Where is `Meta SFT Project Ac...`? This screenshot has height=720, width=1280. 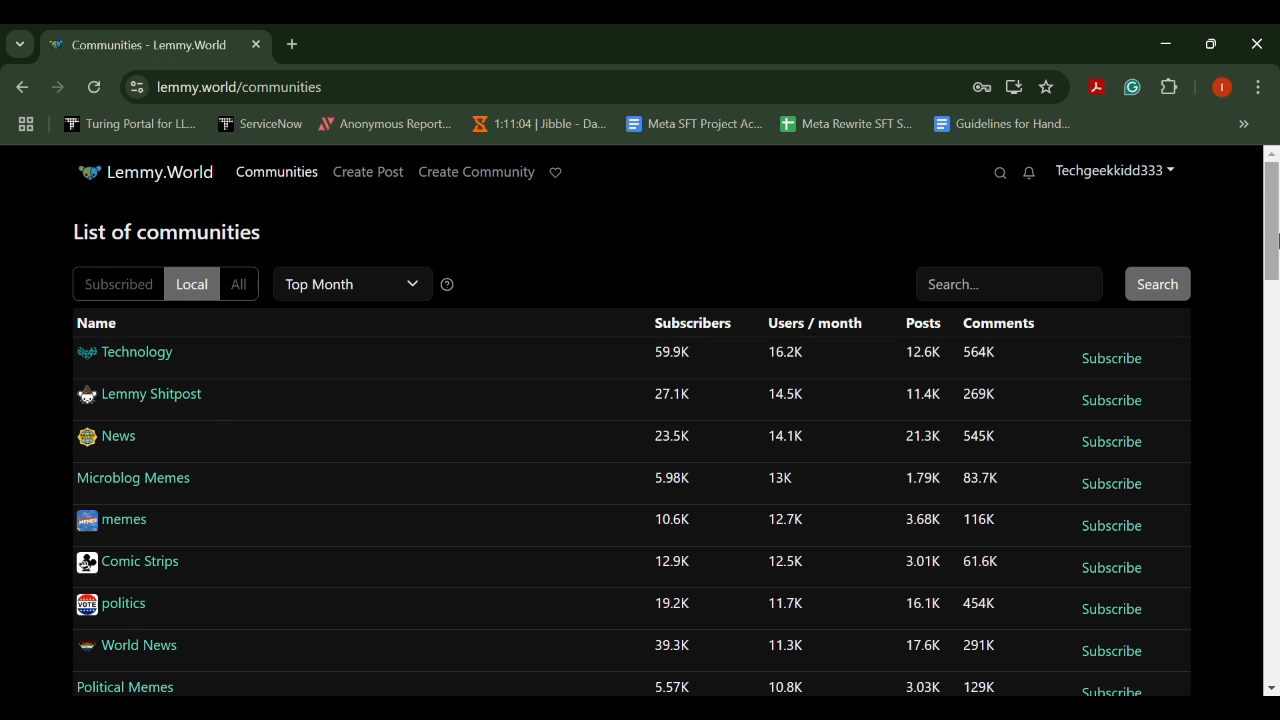 Meta SFT Project Ac... is located at coordinates (693, 125).